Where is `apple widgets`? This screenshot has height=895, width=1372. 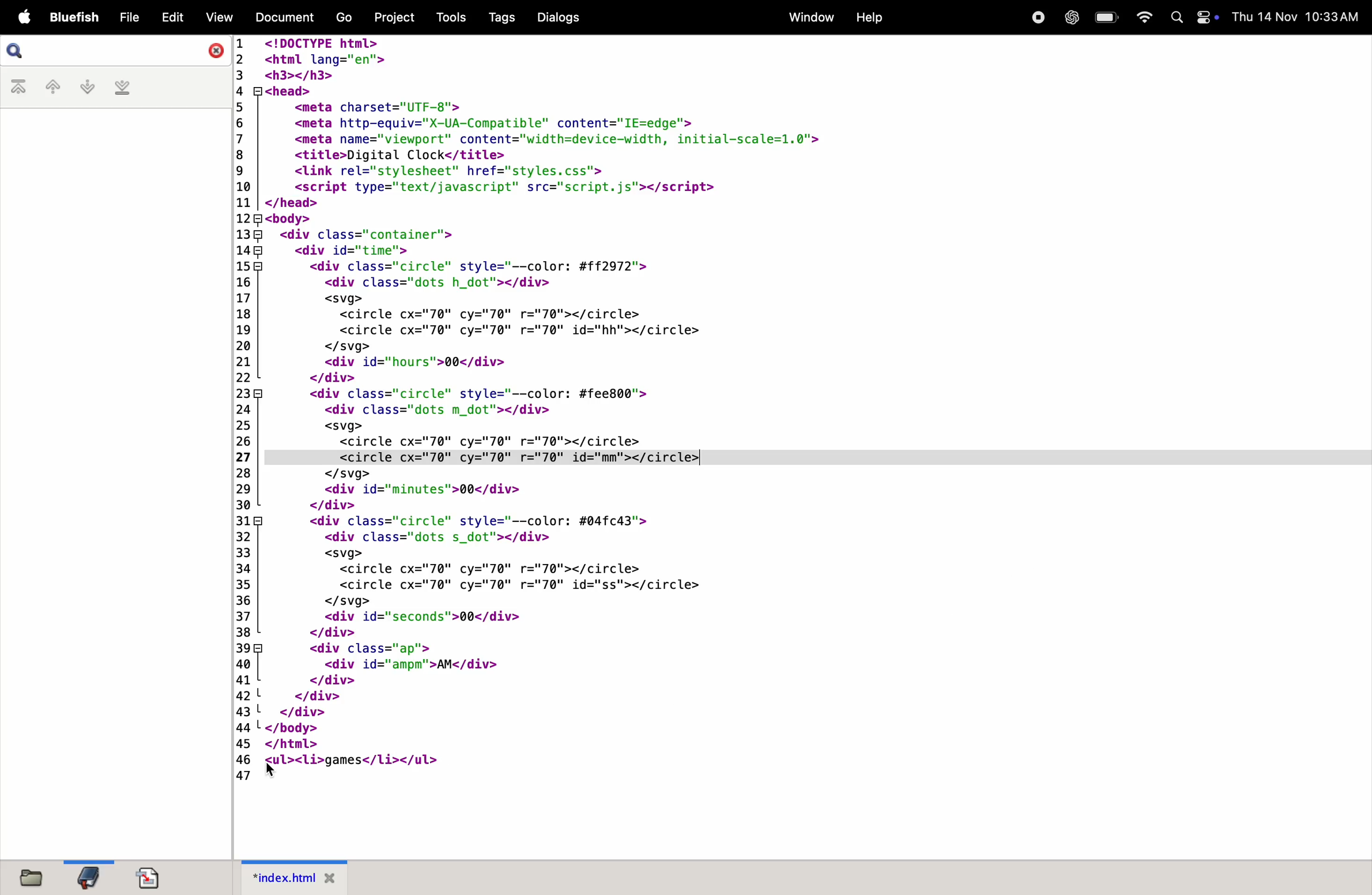 apple widgets is located at coordinates (1193, 17).